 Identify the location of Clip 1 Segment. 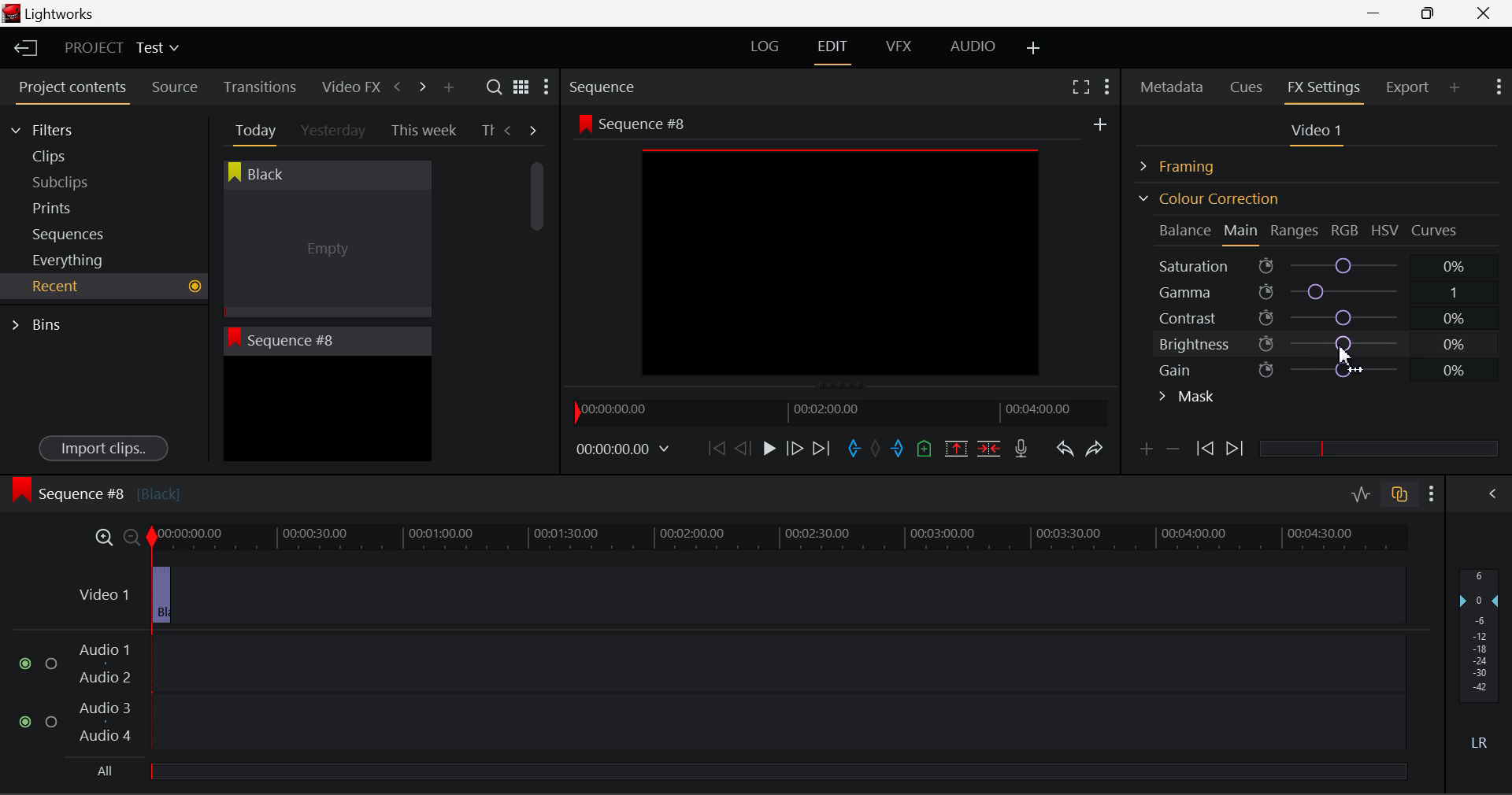
(160, 596).